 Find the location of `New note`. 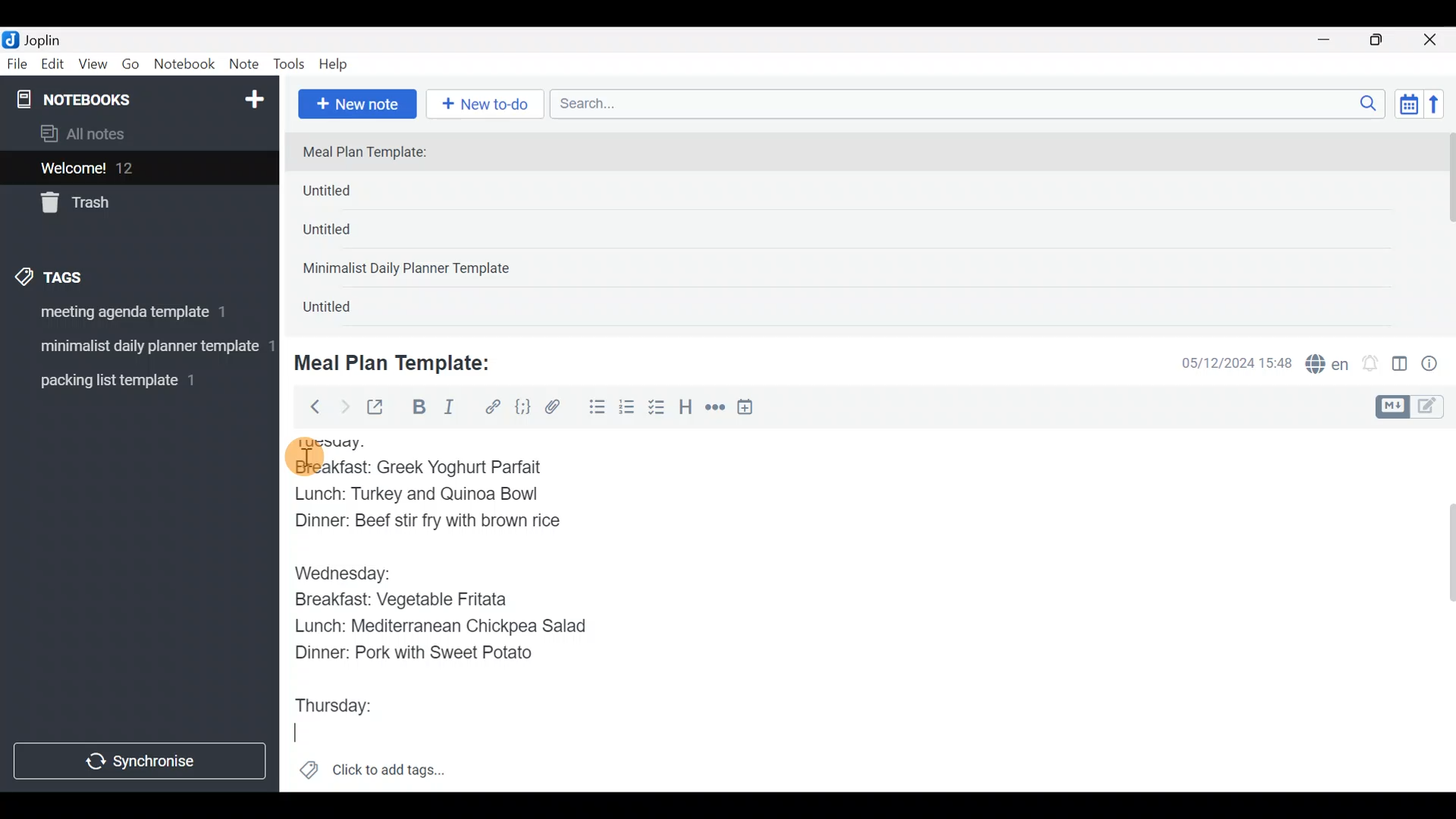

New note is located at coordinates (356, 102).